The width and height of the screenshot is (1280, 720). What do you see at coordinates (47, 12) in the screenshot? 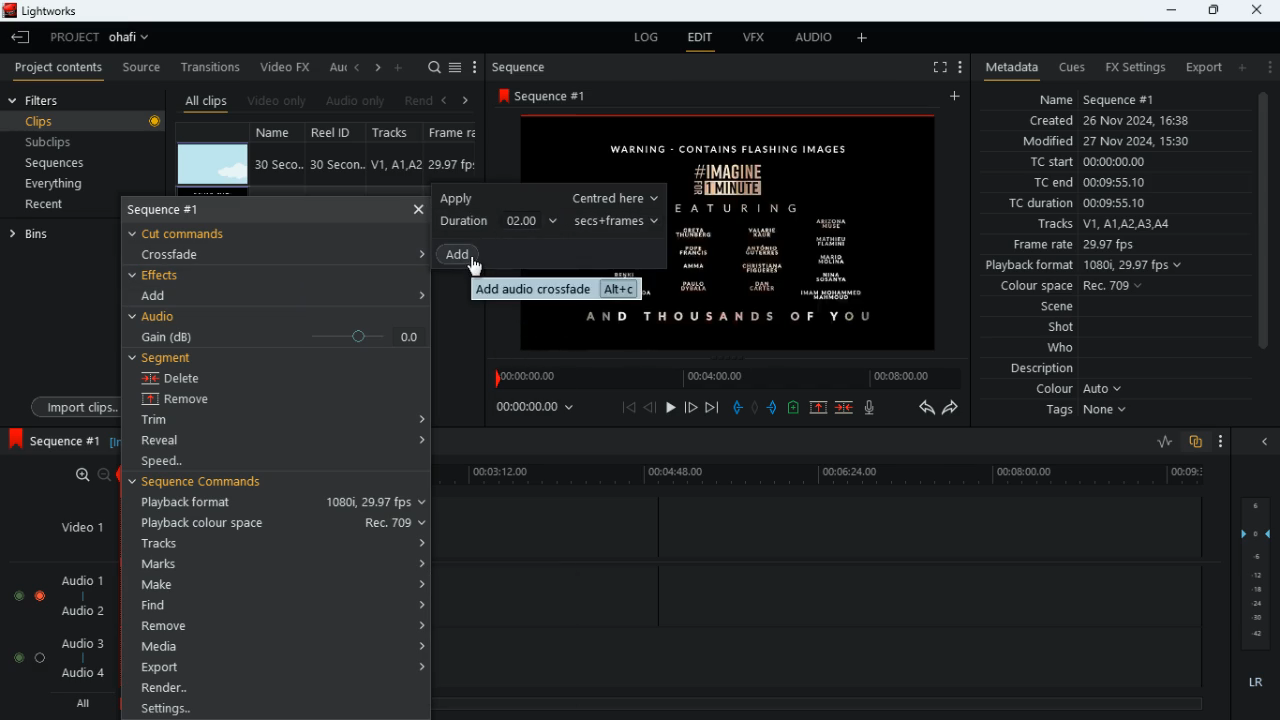
I see `lightworks` at bounding box center [47, 12].